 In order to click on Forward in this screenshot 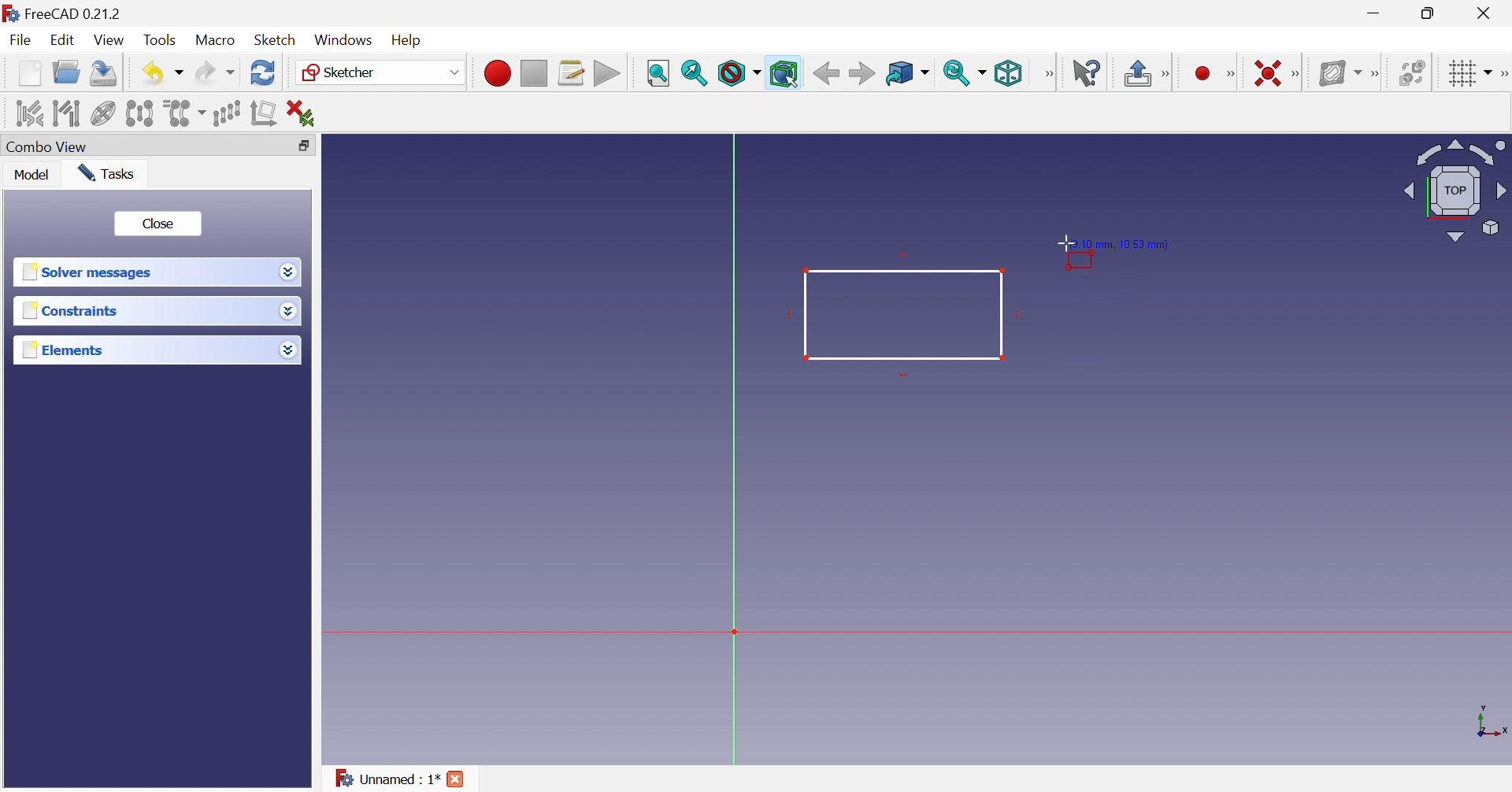, I will do `click(862, 74)`.